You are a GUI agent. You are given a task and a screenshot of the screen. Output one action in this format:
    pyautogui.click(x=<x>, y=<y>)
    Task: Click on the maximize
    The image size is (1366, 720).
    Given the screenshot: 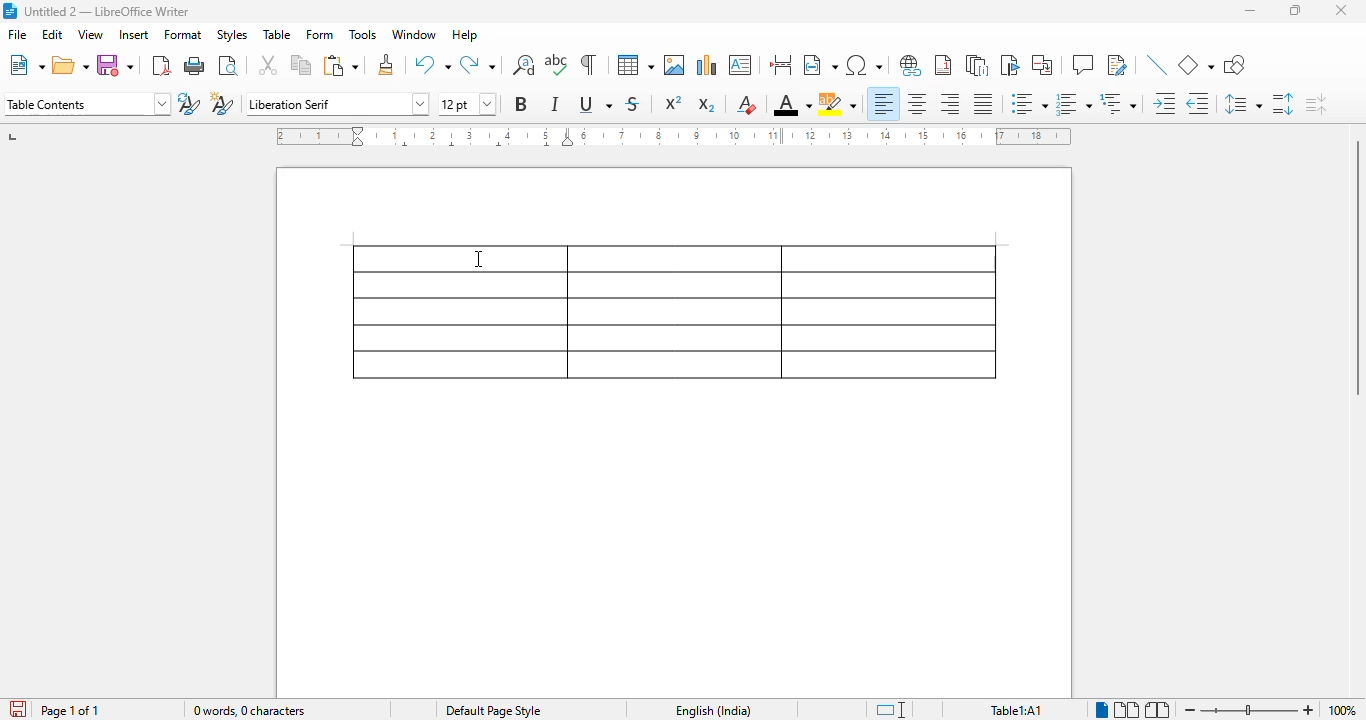 What is the action you would take?
    pyautogui.click(x=1296, y=11)
    